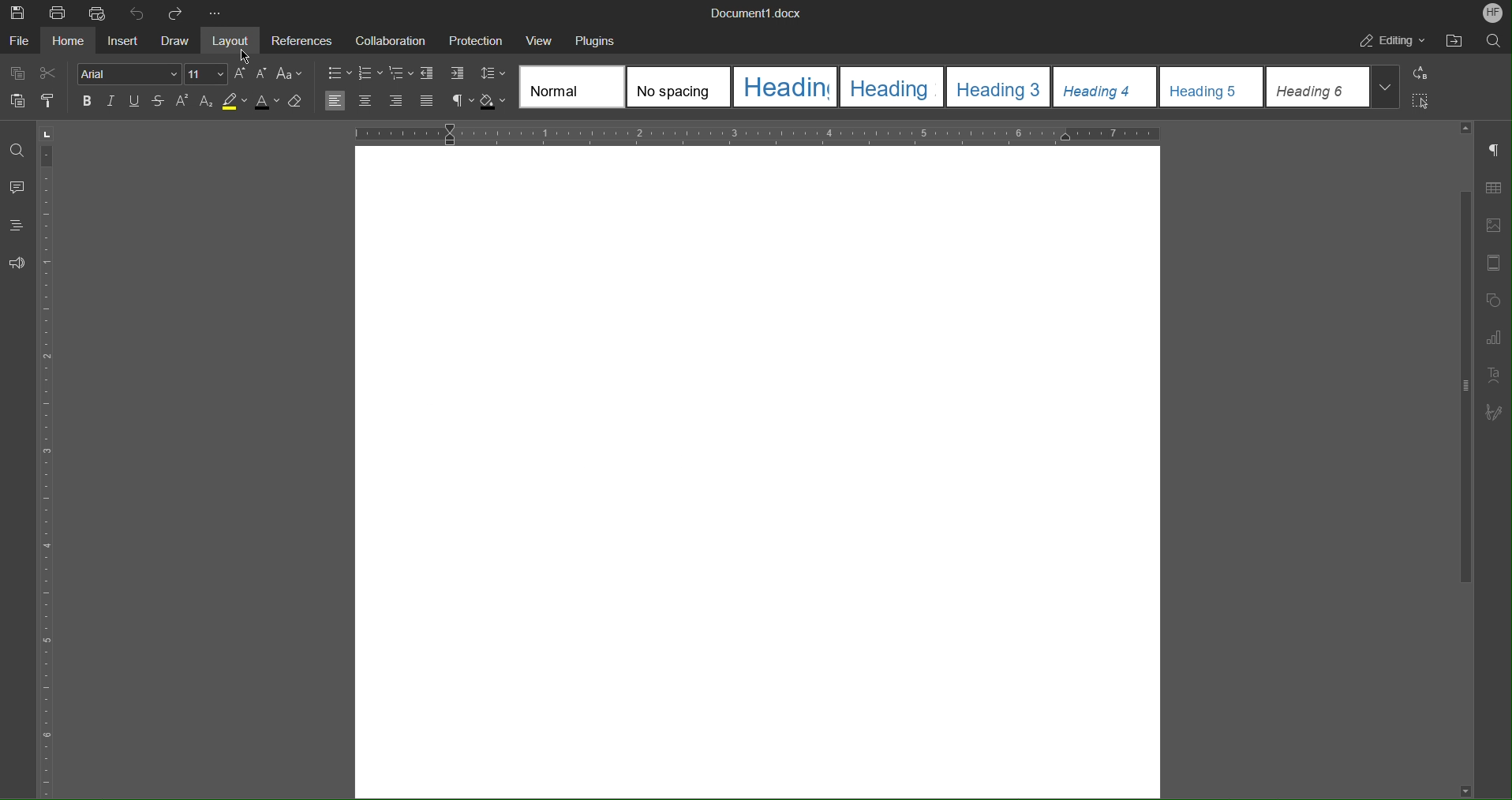 The image size is (1512, 800). I want to click on Heading 5, so click(1212, 86).